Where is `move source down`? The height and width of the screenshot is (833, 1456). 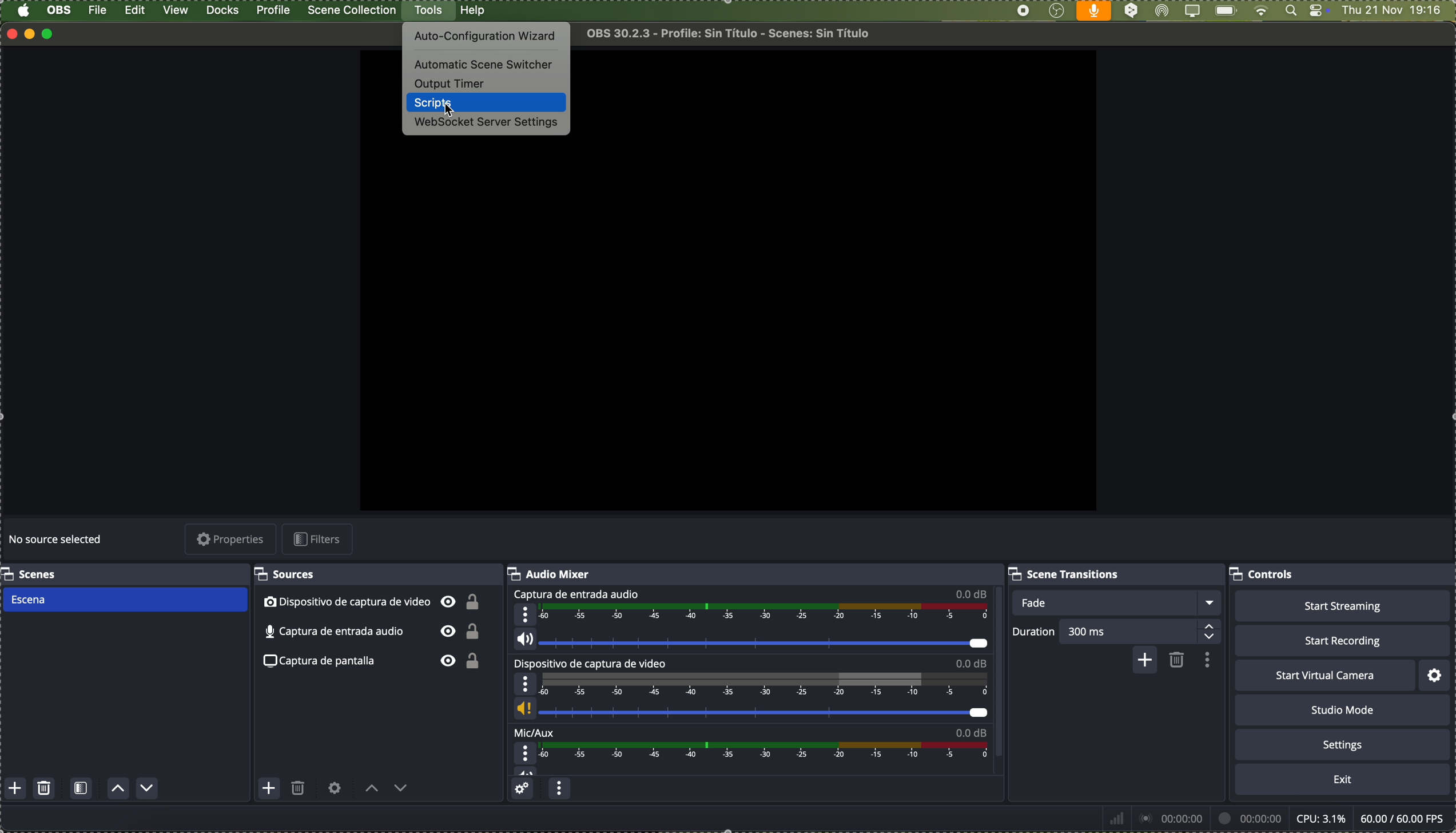 move source down is located at coordinates (399, 791).